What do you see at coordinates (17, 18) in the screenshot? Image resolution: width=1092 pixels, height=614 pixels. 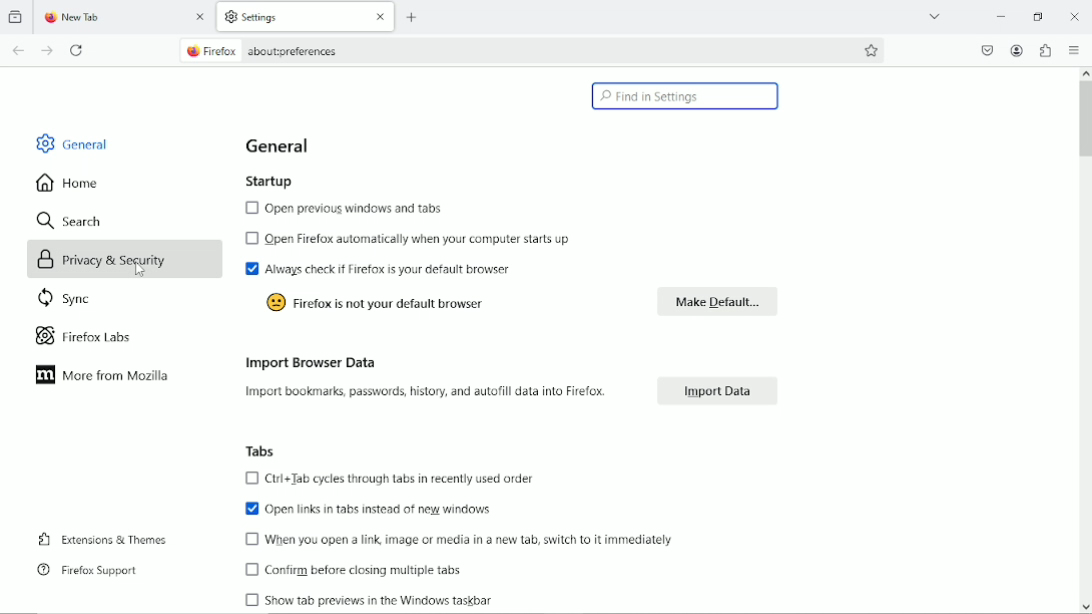 I see `View recent browsing` at bounding box center [17, 18].